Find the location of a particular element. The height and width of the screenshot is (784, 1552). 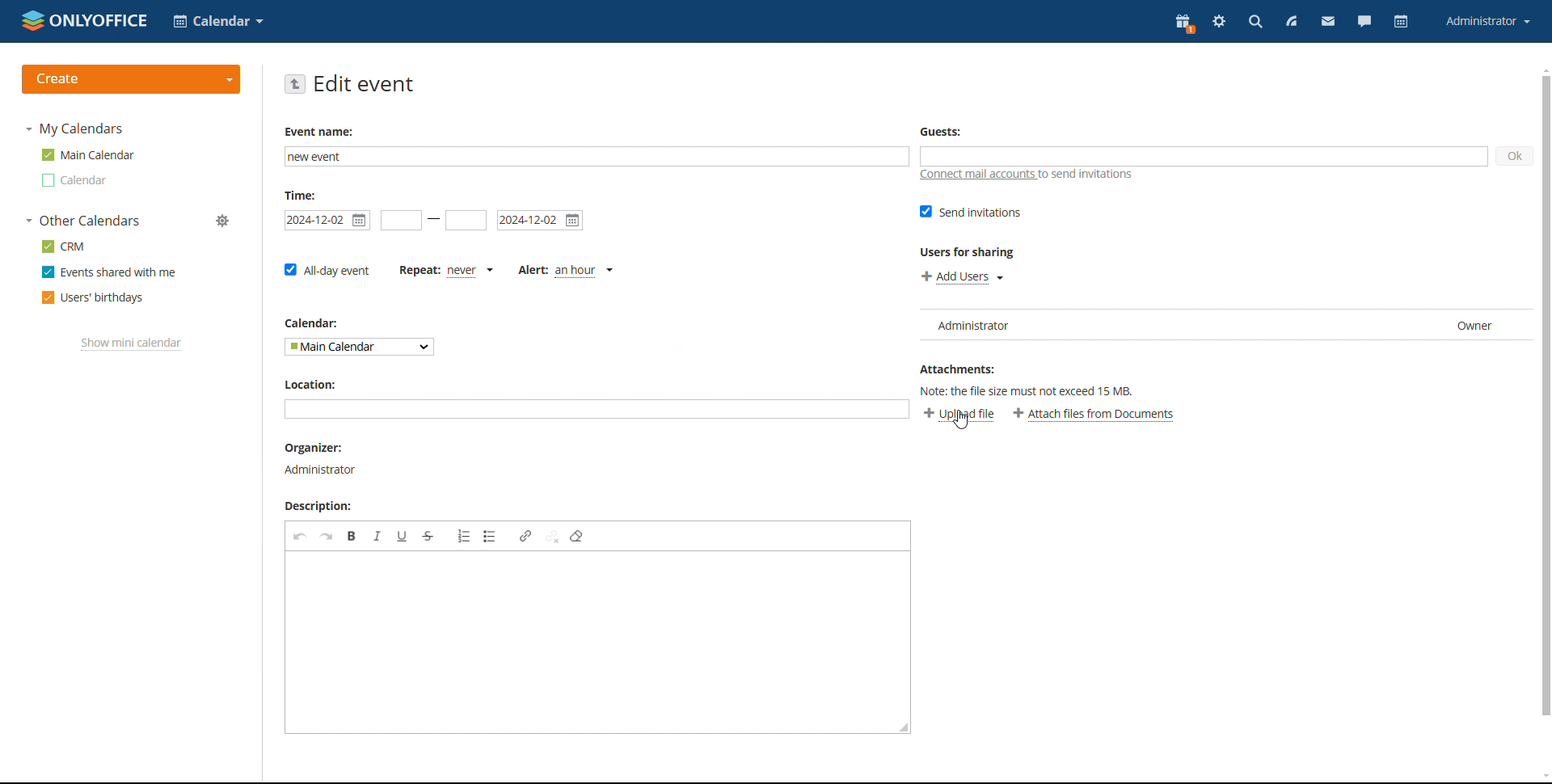

main calendar is located at coordinates (88, 155).